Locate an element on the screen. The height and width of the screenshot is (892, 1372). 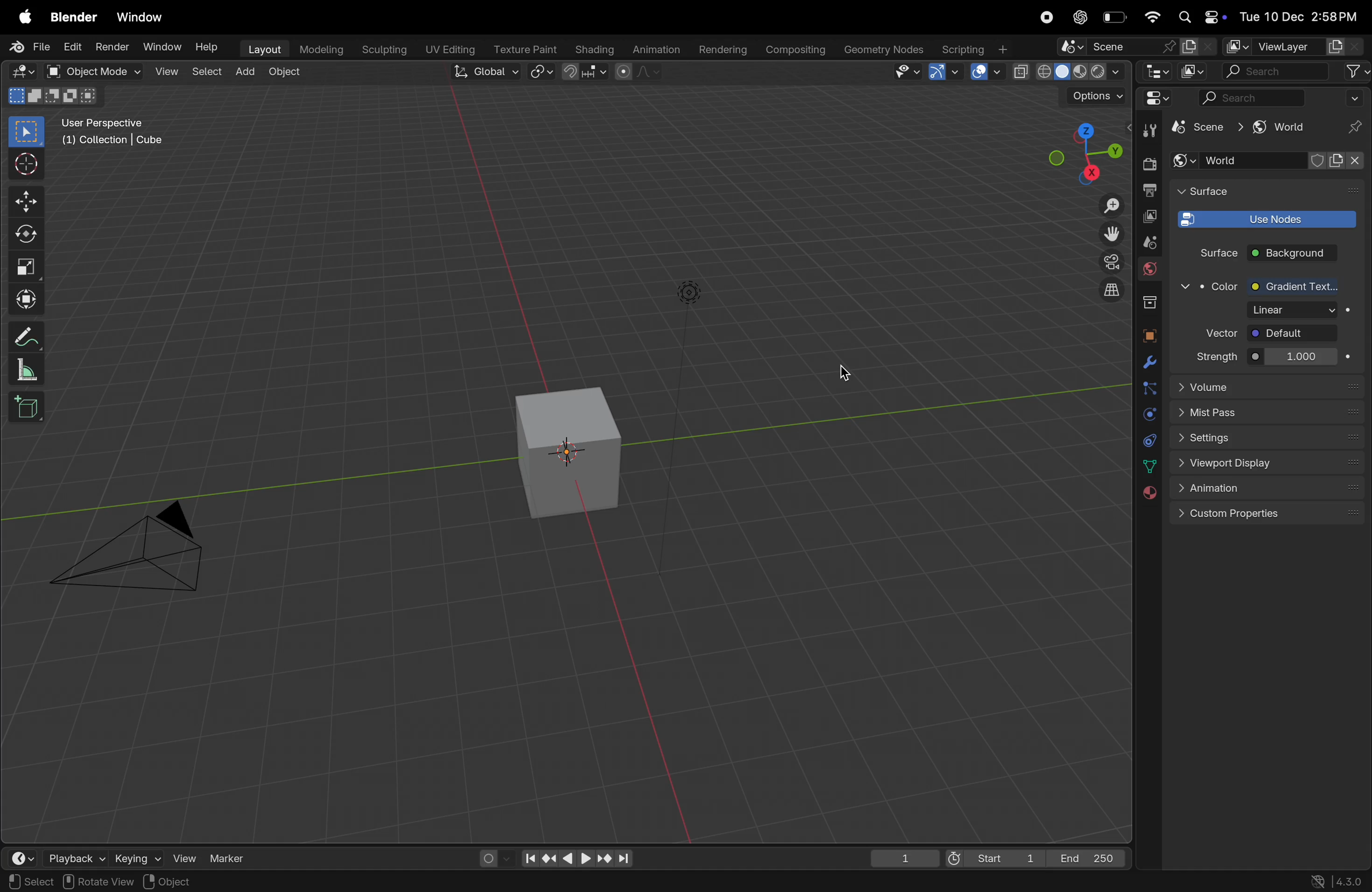
search is located at coordinates (1273, 71).